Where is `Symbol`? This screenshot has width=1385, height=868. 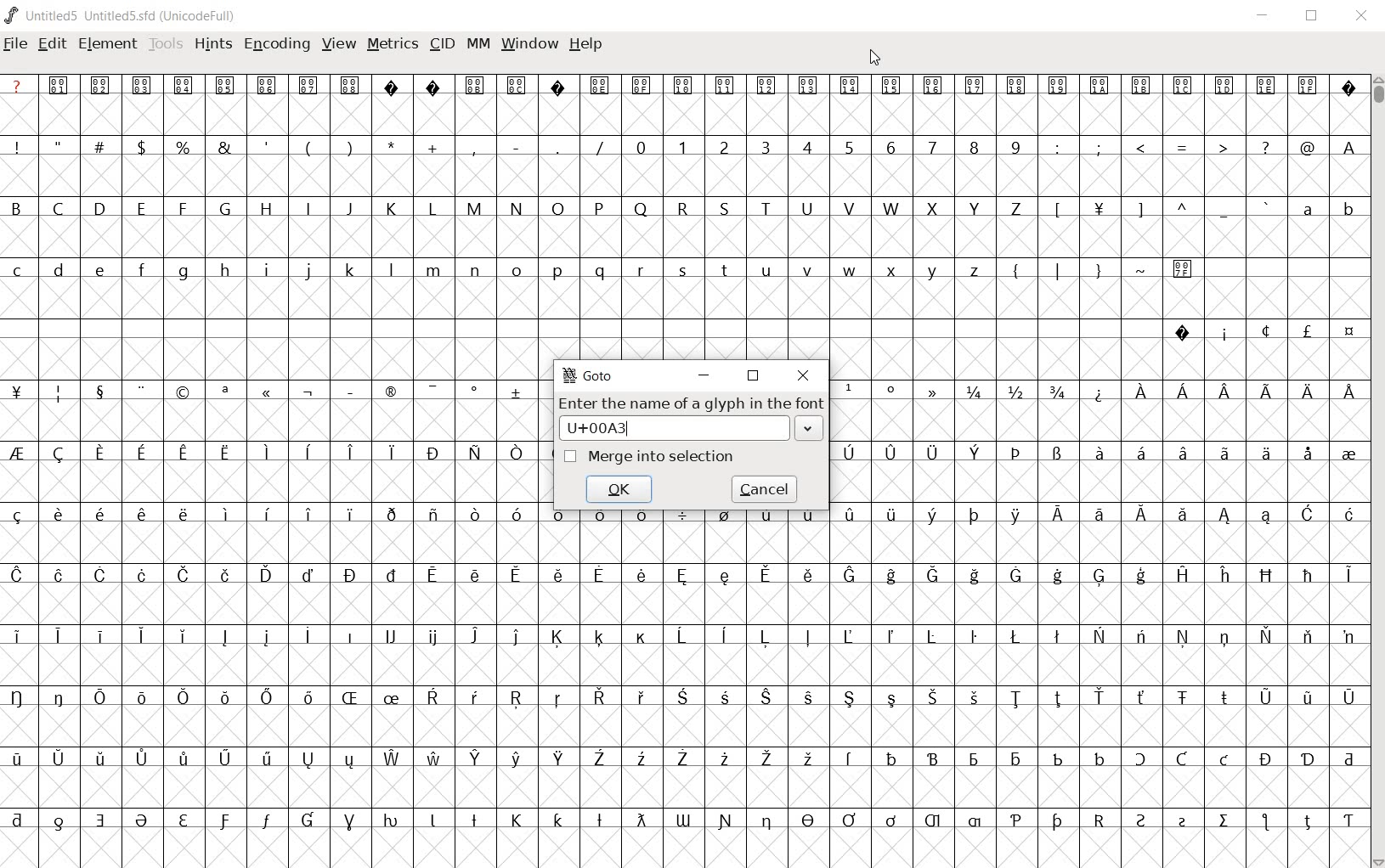 Symbol is located at coordinates (934, 453).